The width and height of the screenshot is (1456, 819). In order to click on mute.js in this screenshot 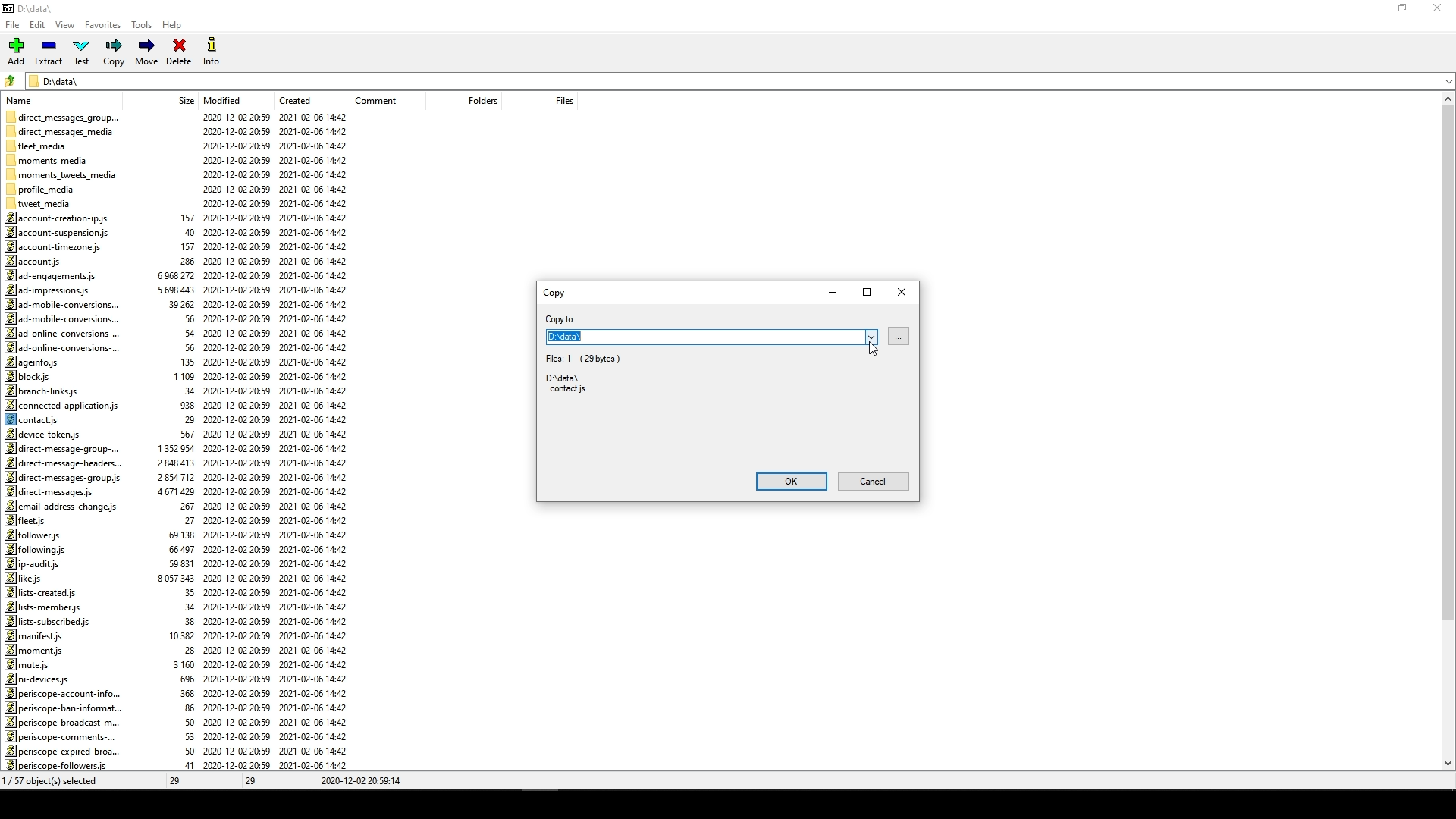, I will do `click(28, 664)`.